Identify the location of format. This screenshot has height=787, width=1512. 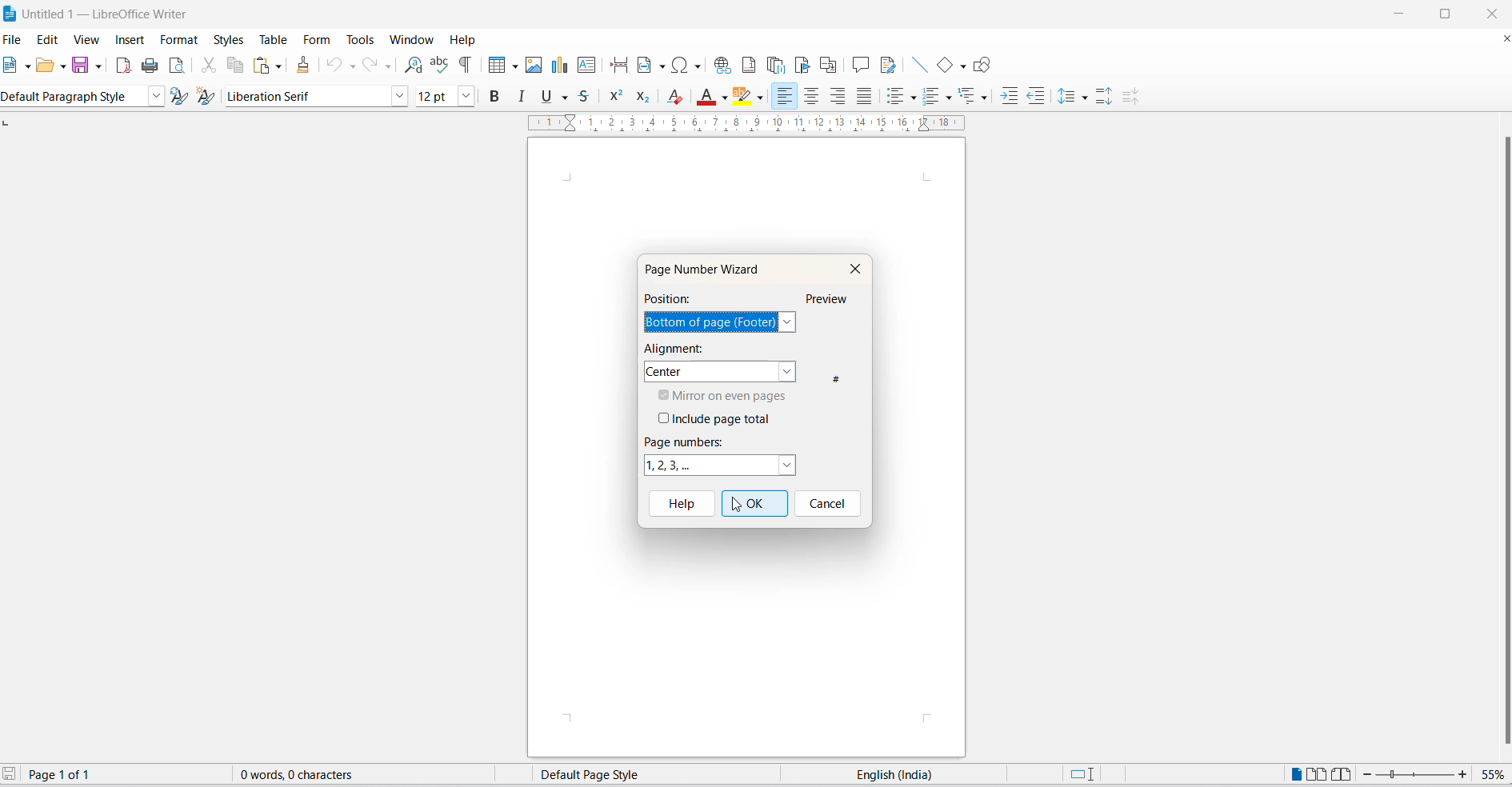
(180, 40).